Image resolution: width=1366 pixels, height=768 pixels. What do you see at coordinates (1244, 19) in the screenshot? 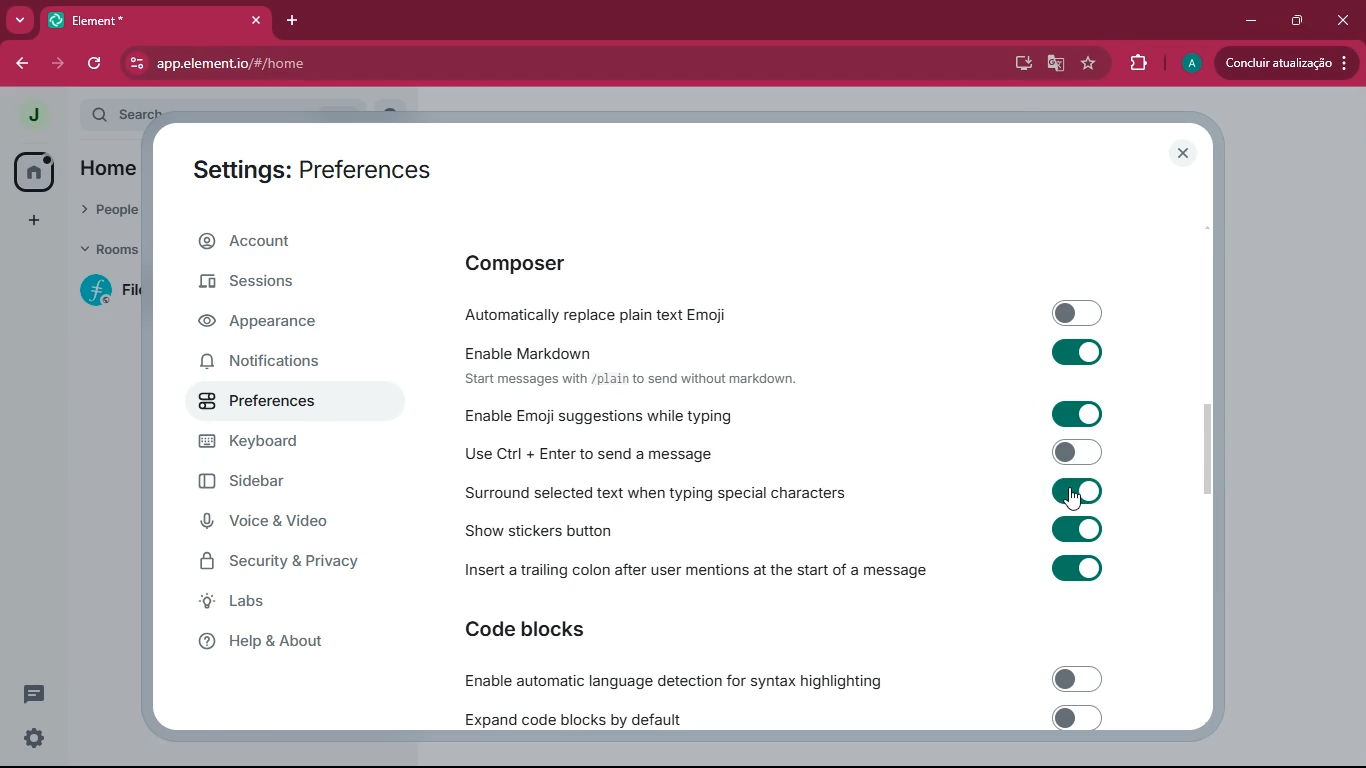
I see `minimize` at bounding box center [1244, 19].